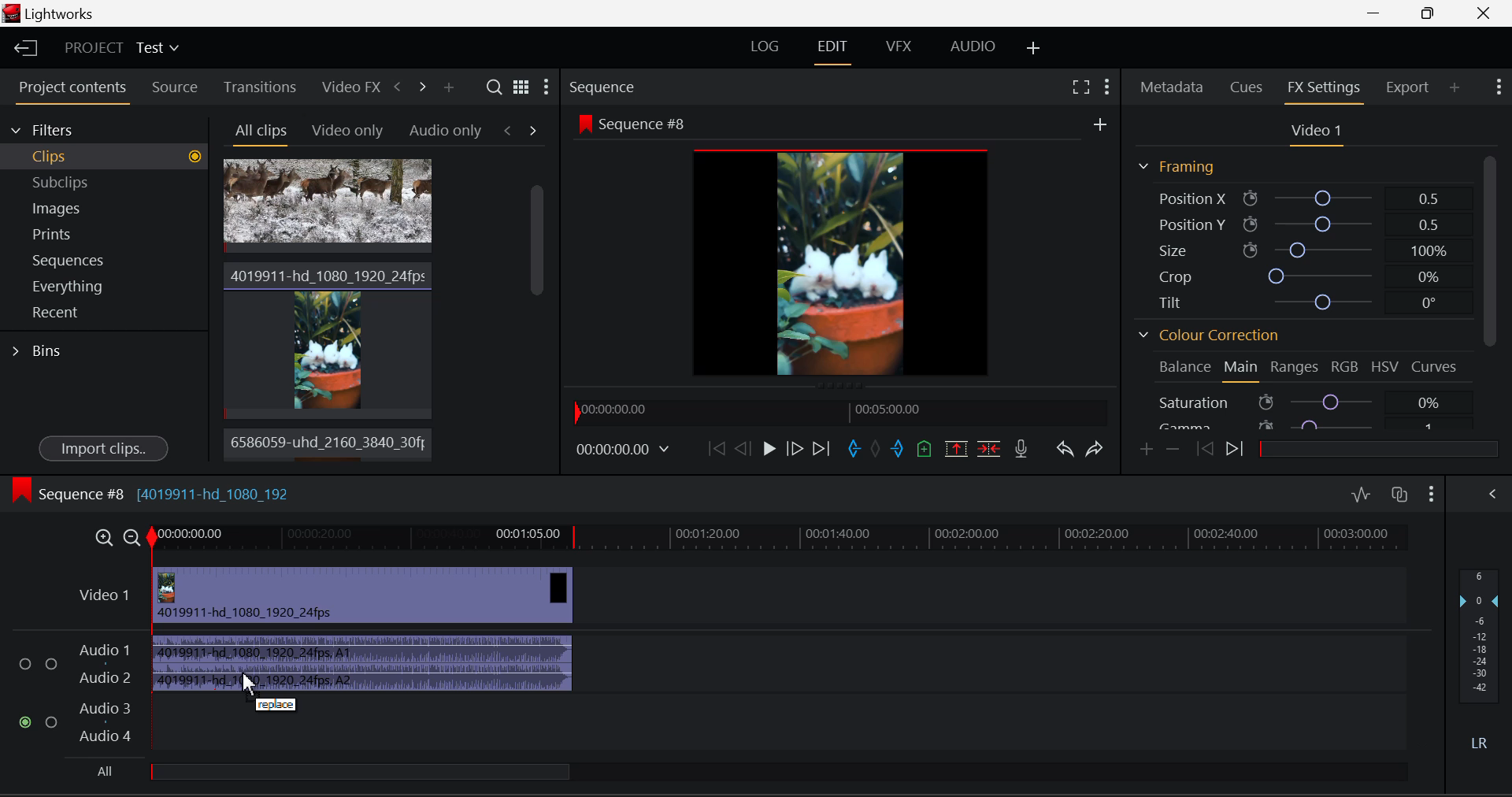 The width and height of the screenshot is (1512, 797). Describe the element at coordinates (1079, 86) in the screenshot. I see `Full Screen` at that location.